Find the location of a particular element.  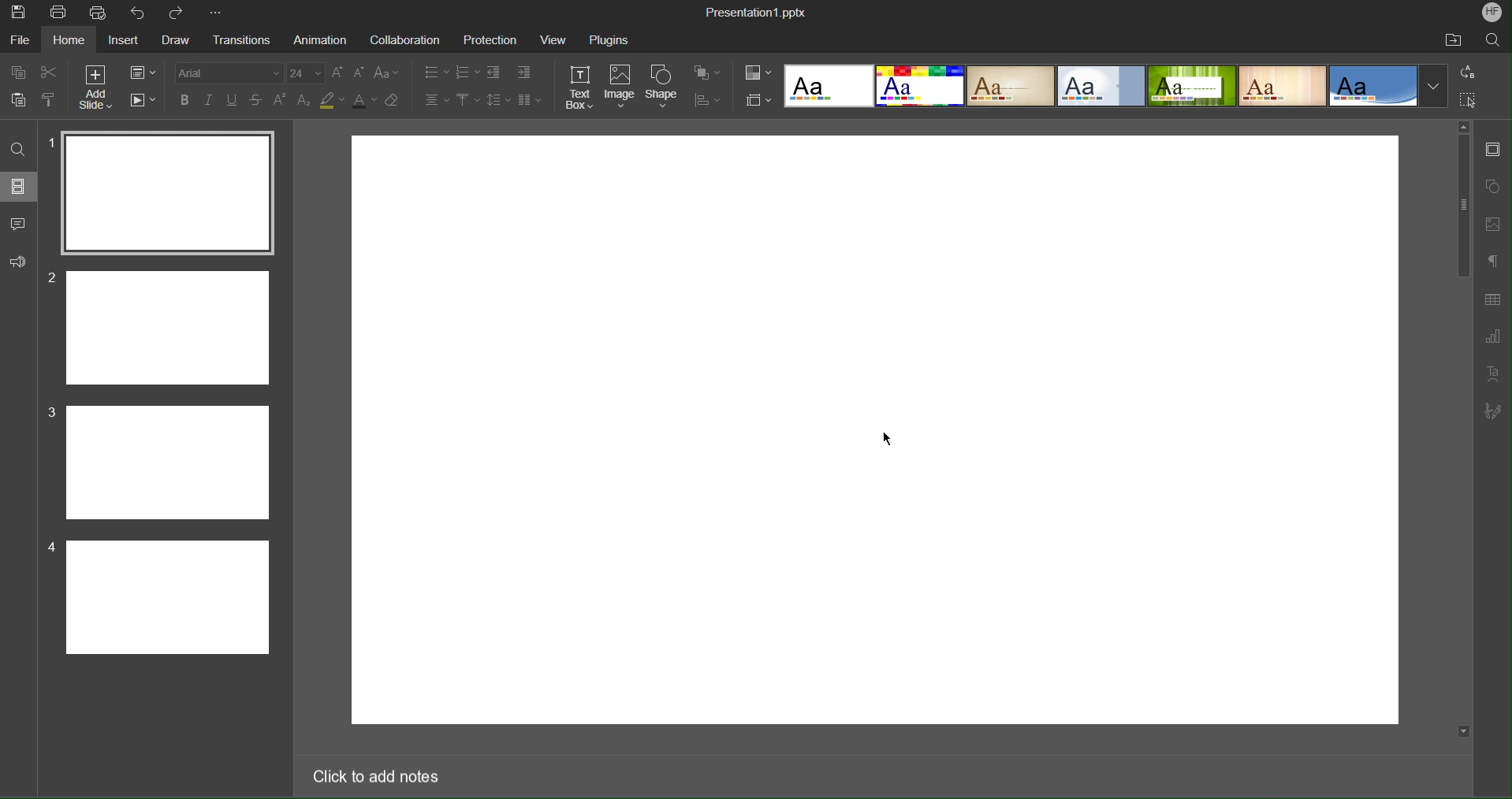

Replace is located at coordinates (1468, 72).